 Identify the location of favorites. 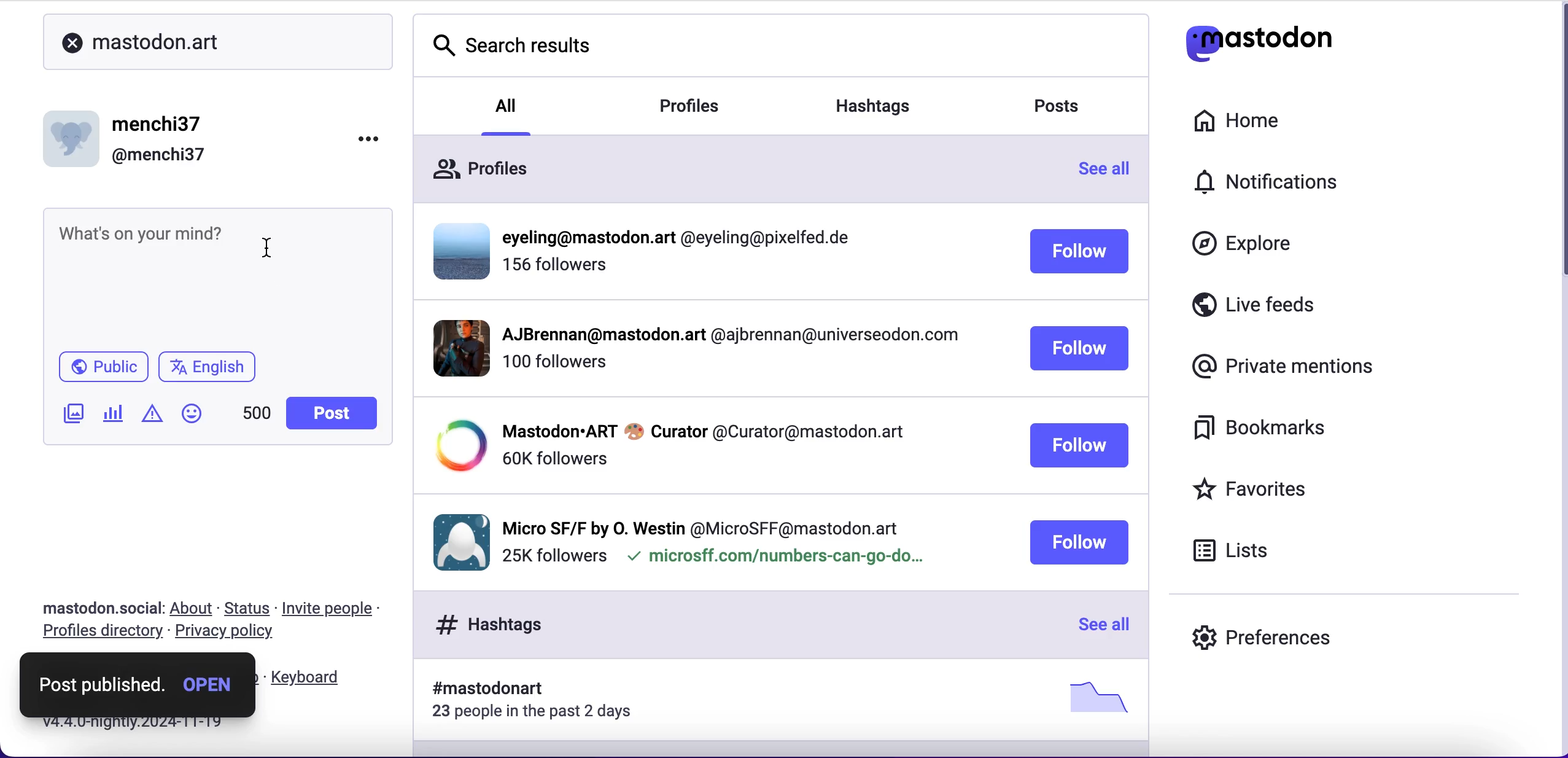
(1282, 488).